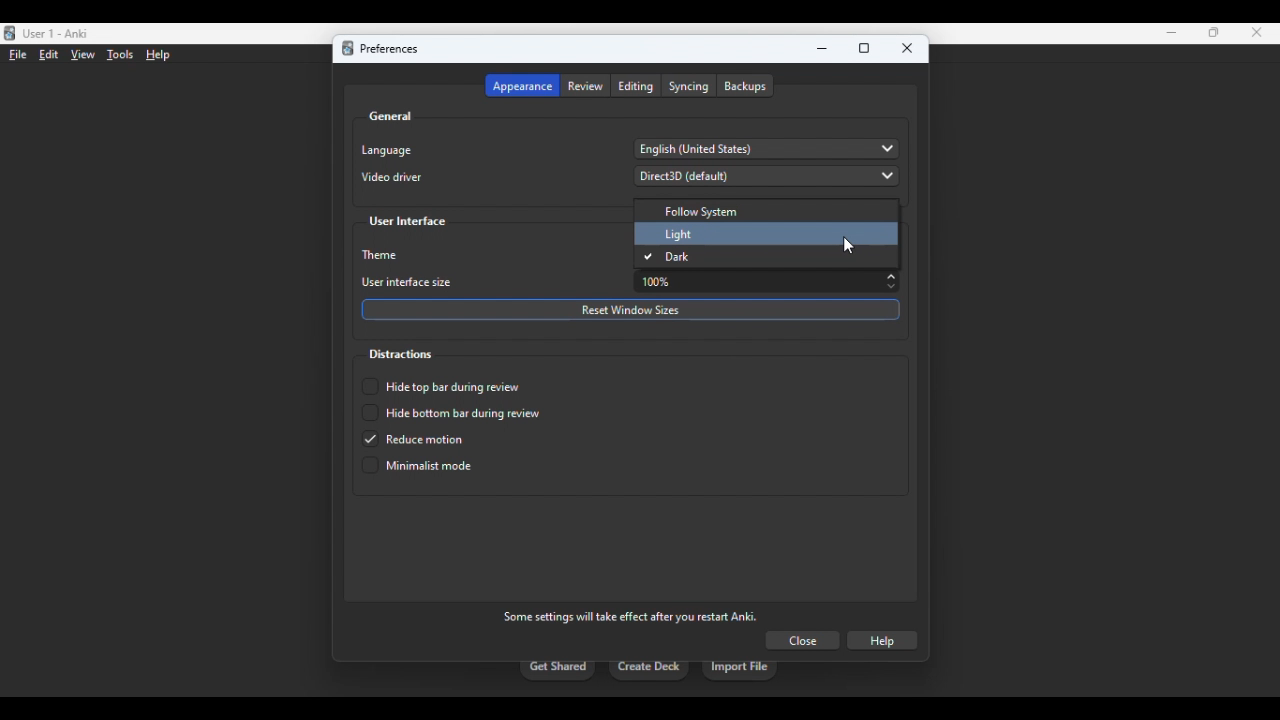  Describe the element at coordinates (386, 150) in the screenshot. I see `language` at that location.